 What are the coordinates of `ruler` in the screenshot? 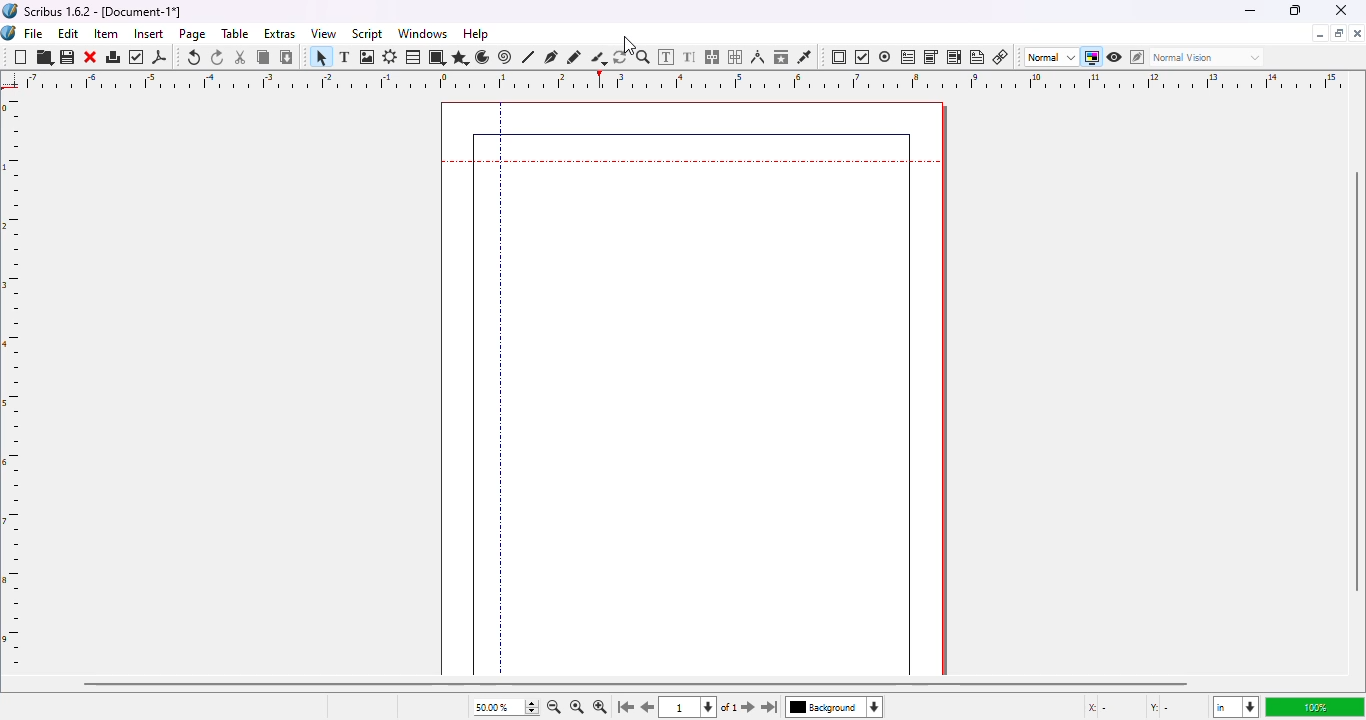 It's located at (674, 81).